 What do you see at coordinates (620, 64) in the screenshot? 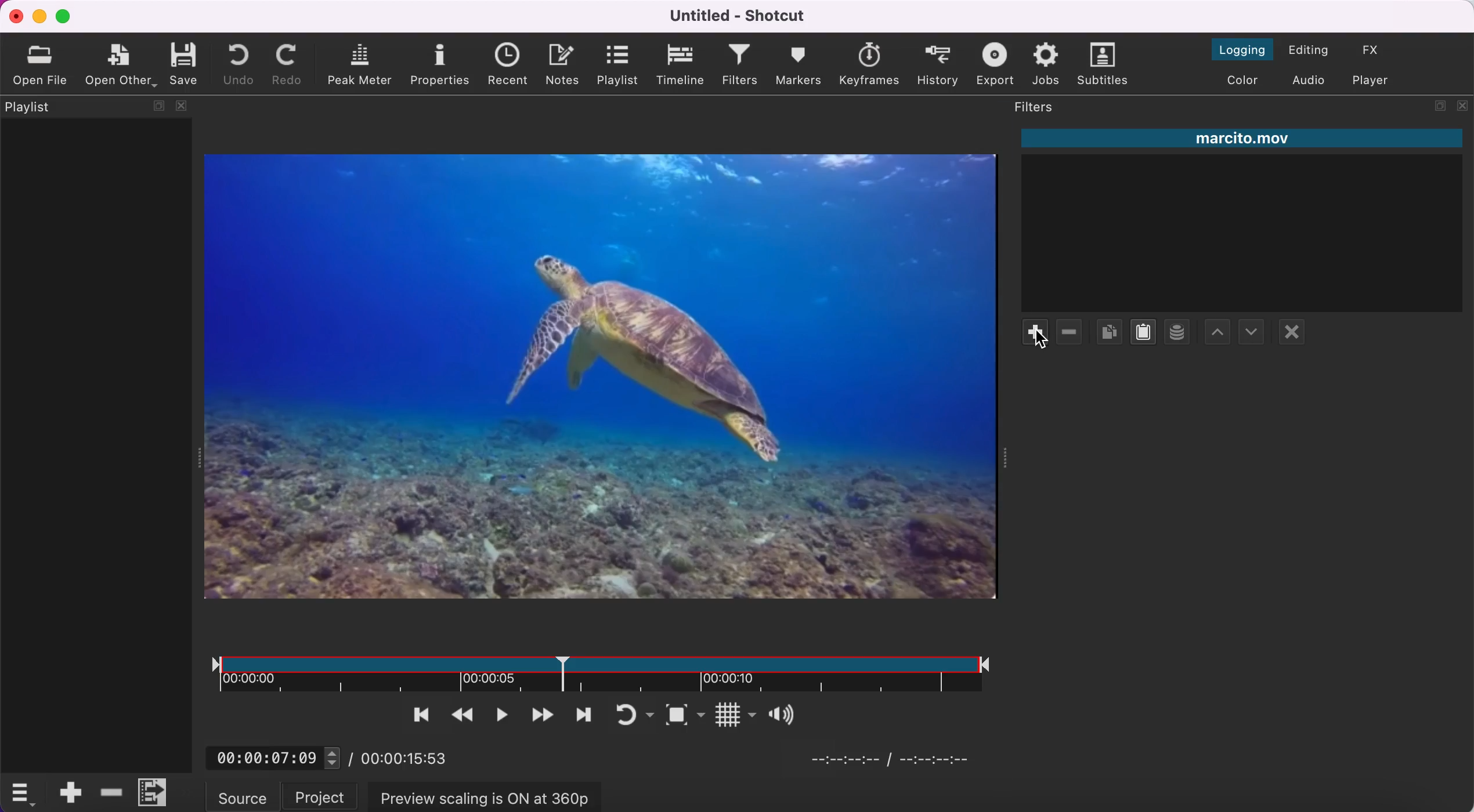
I see `playlist` at bounding box center [620, 64].